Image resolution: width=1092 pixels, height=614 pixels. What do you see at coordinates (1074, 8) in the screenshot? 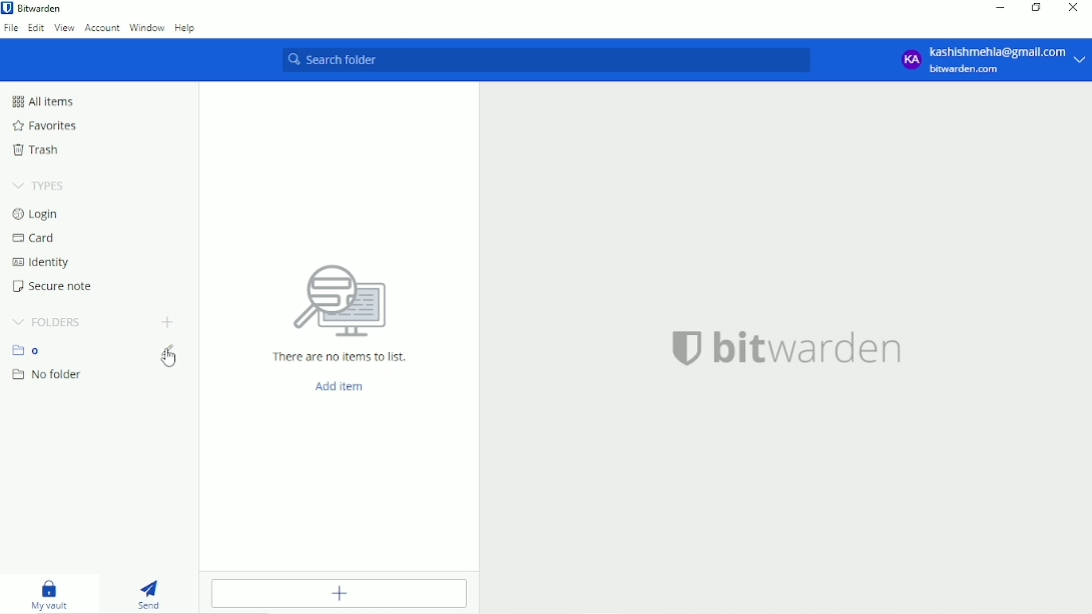
I see `Close` at bounding box center [1074, 8].